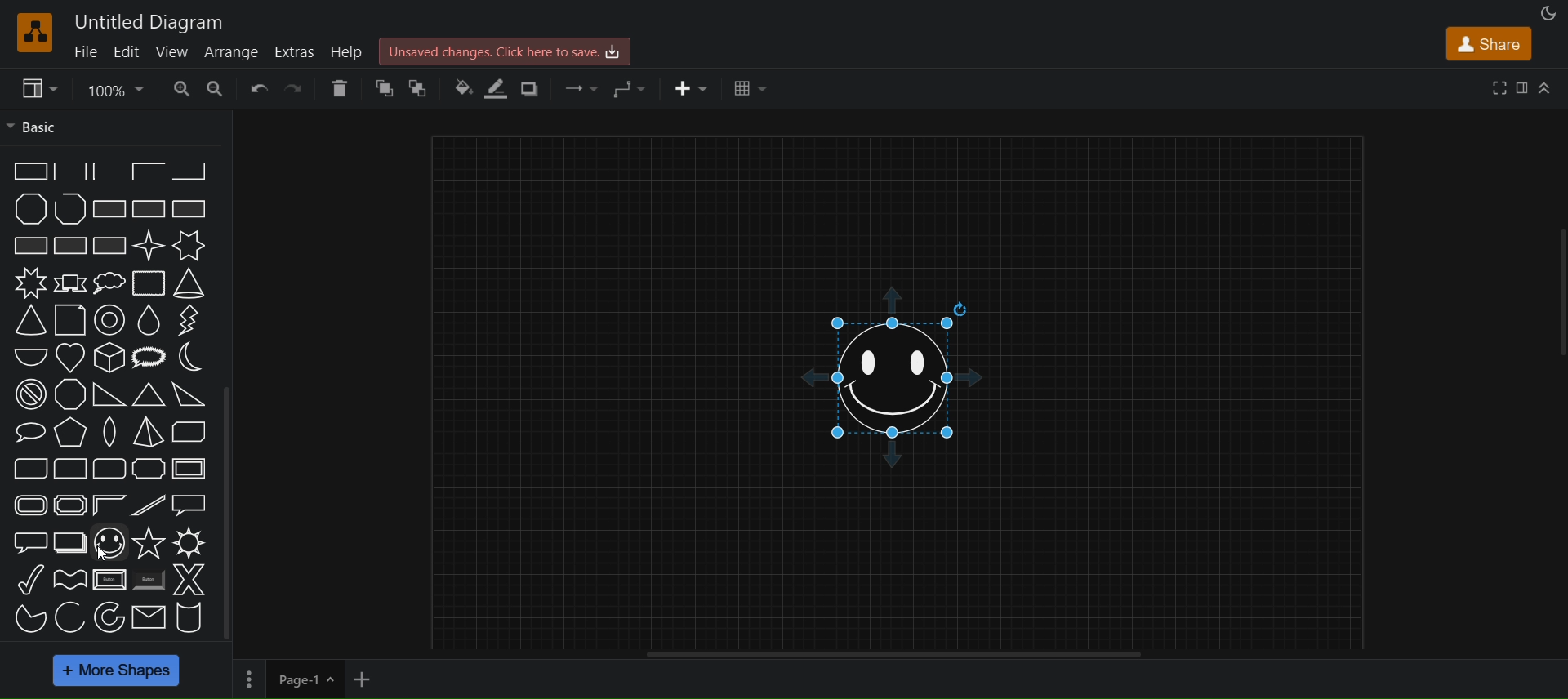  I want to click on smiley , so click(109, 543).